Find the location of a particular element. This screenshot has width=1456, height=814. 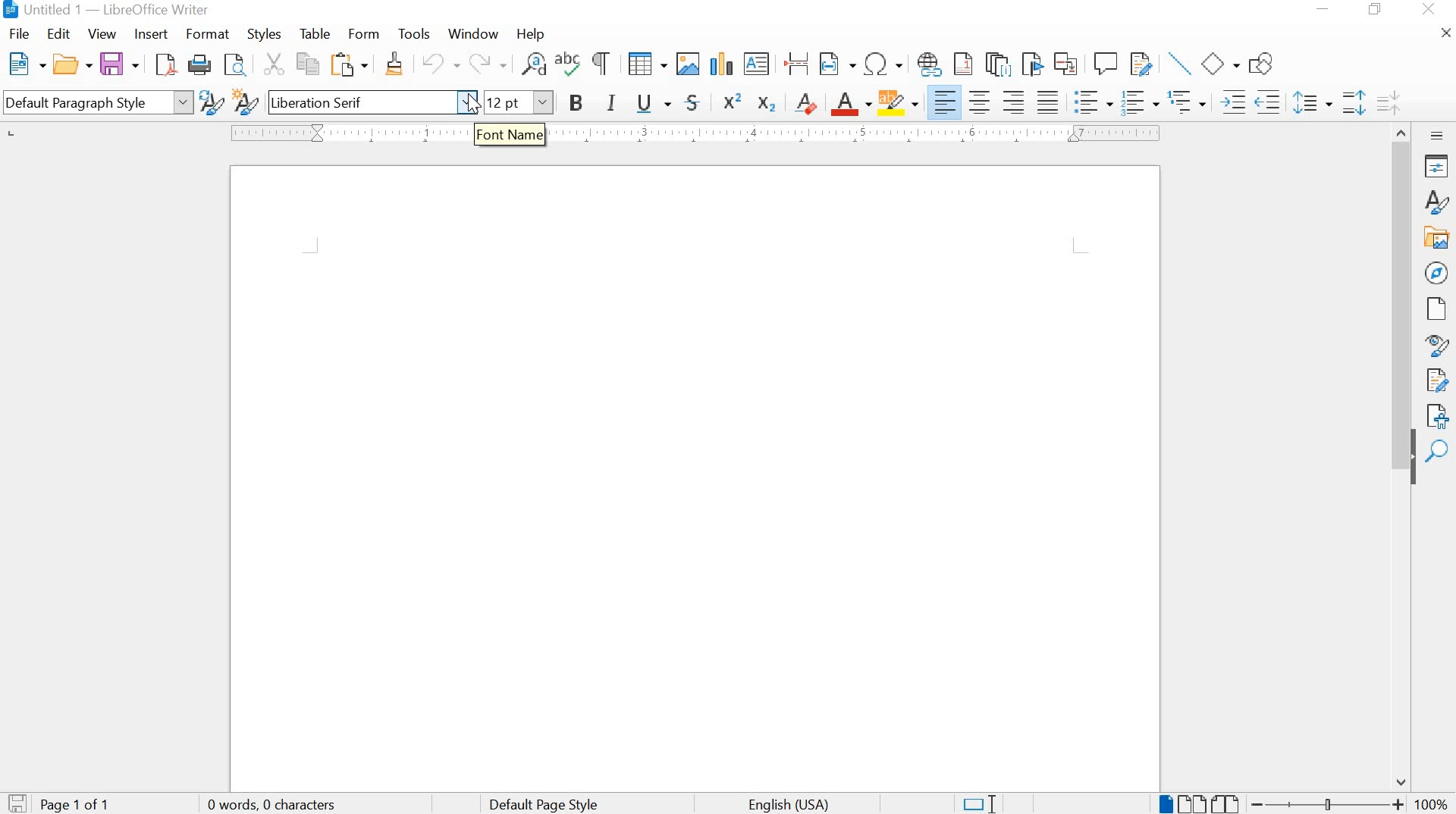

SCROLLBAR is located at coordinates (1403, 456).